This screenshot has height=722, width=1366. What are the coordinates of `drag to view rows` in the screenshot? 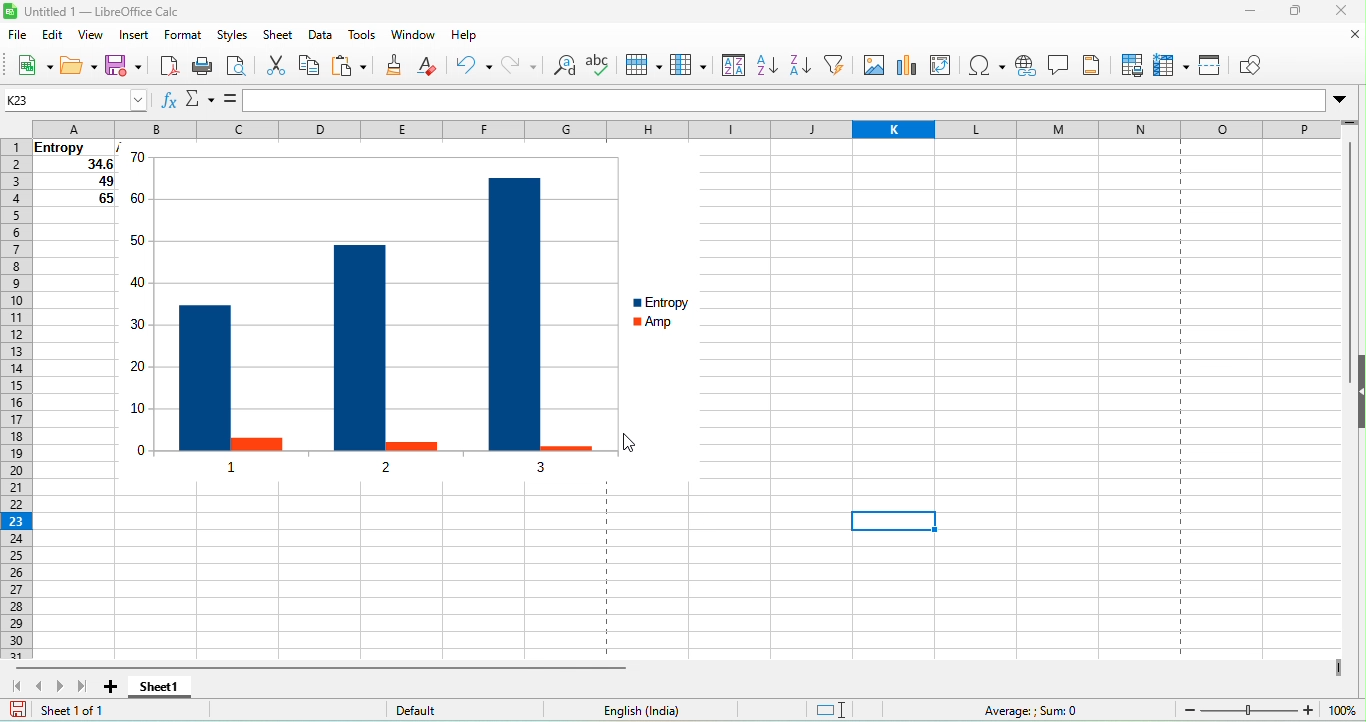 It's located at (1350, 120).